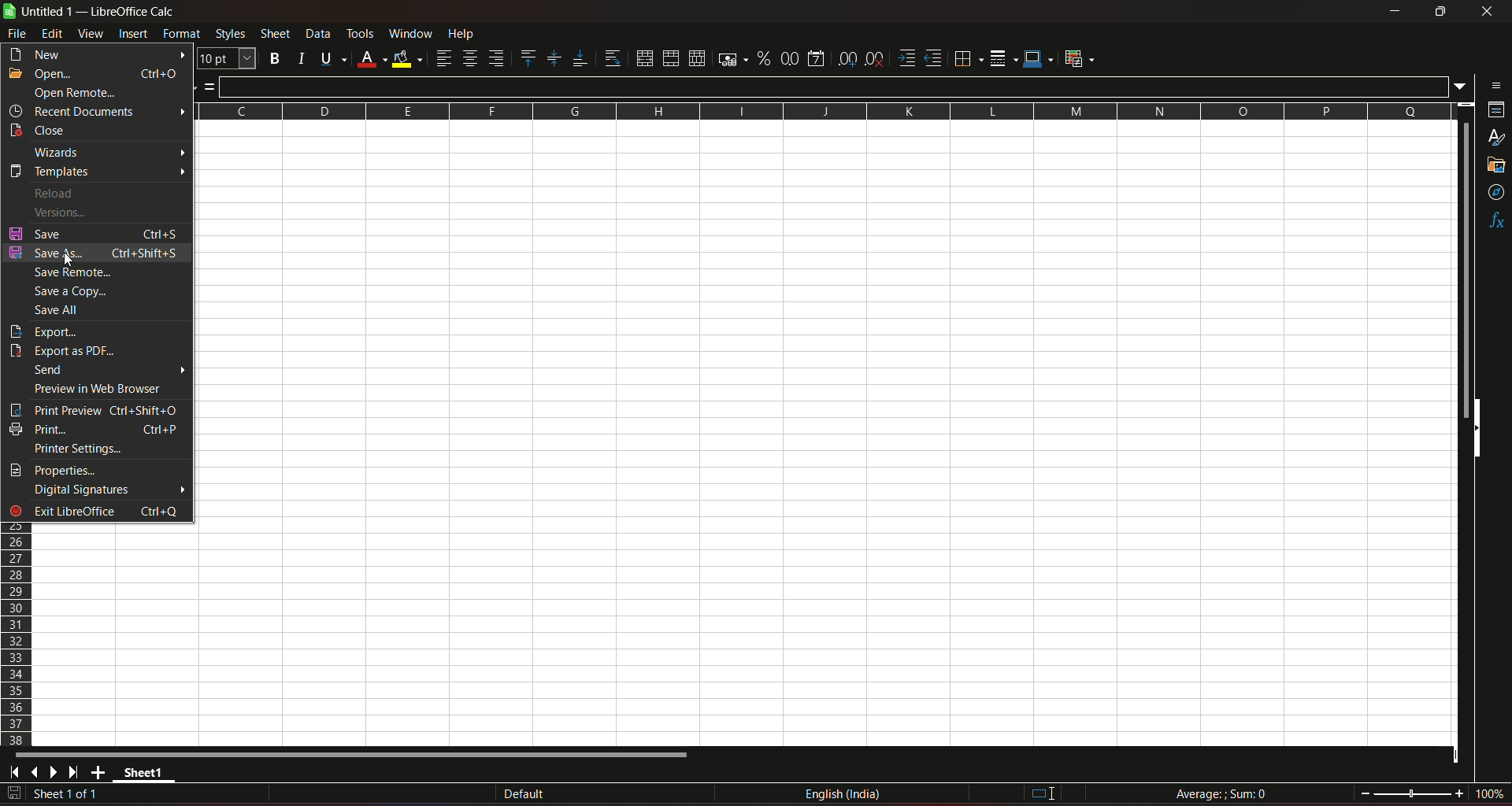 Image resolution: width=1512 pixels, height=806 pixels. What do you see at coordinates (52, 35) in the screenshot?
I see `edit` at bounding box center [52, 35].